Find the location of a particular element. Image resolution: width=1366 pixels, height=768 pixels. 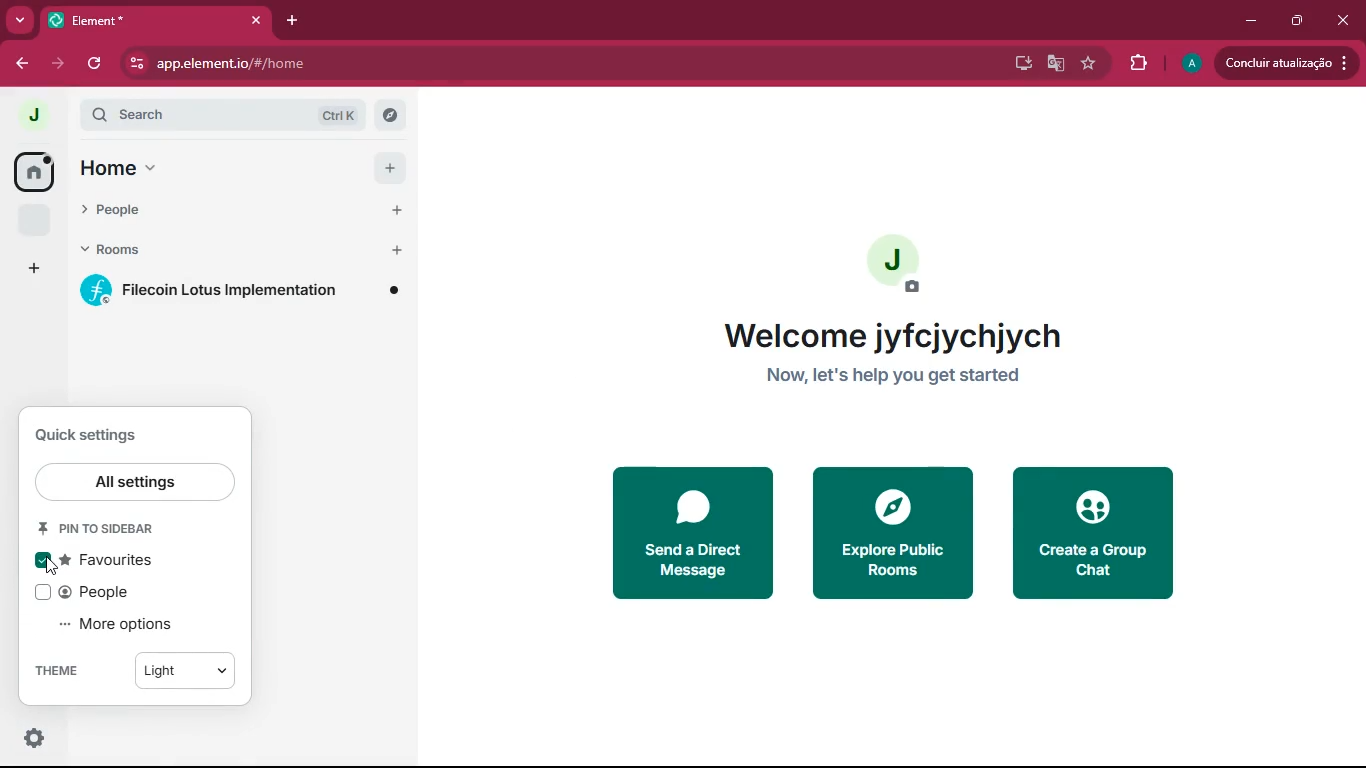

add is located at coordinates (390, 167).